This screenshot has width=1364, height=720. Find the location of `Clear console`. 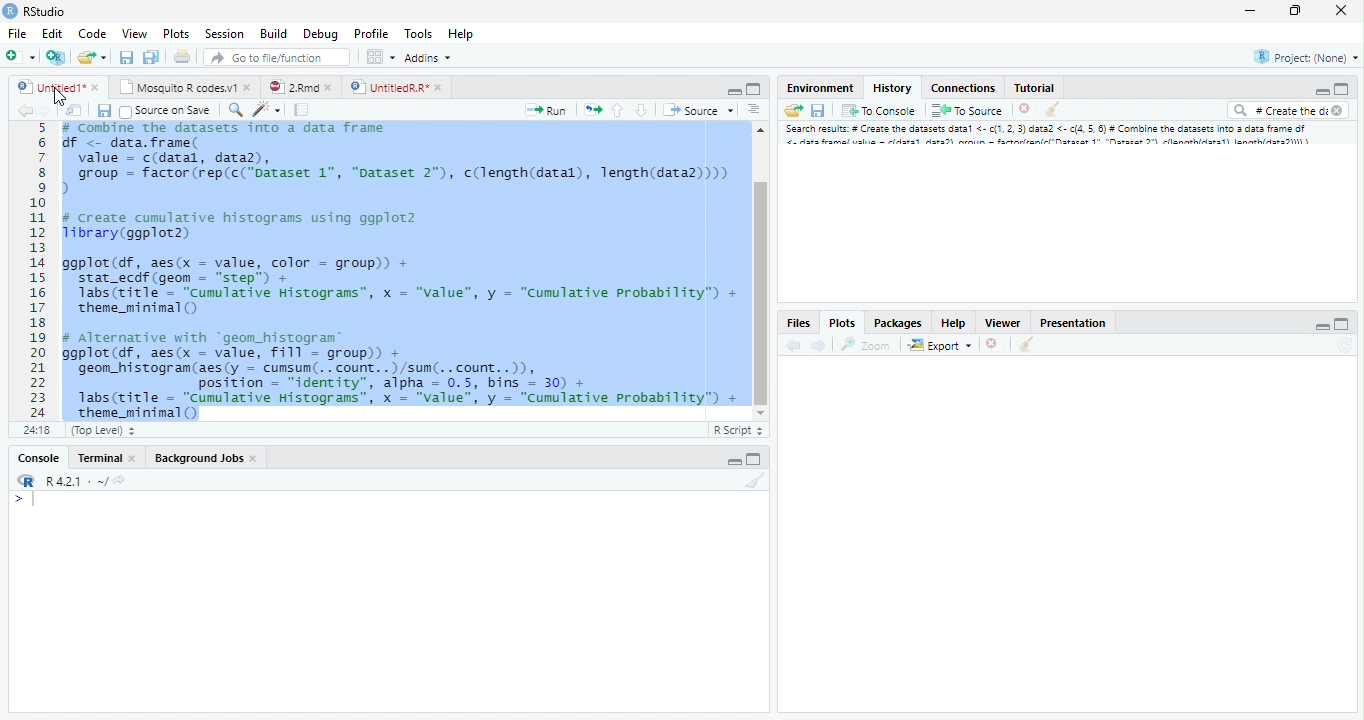

Clear console is located at coordinates (1029, 346).